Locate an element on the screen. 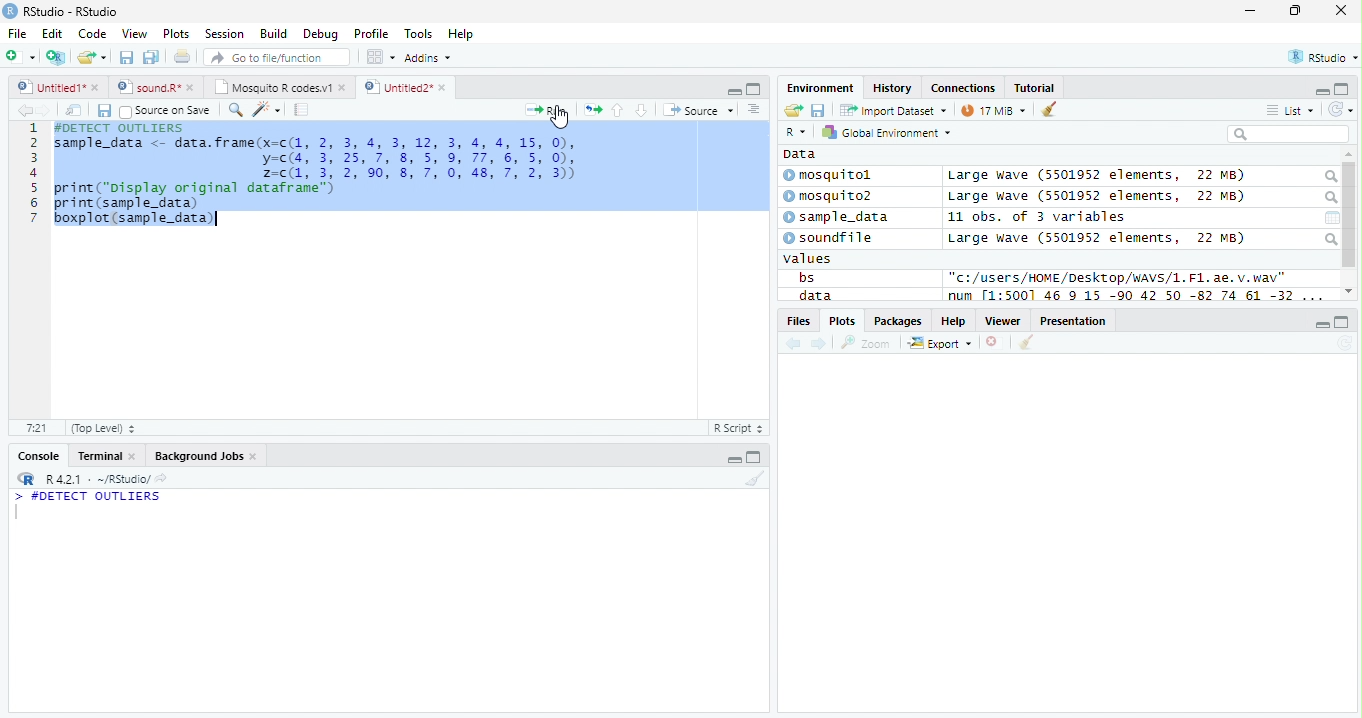 Image resolution: width=1362 pixels, height=718 pixels. List is located at coordinates (1290, 110).